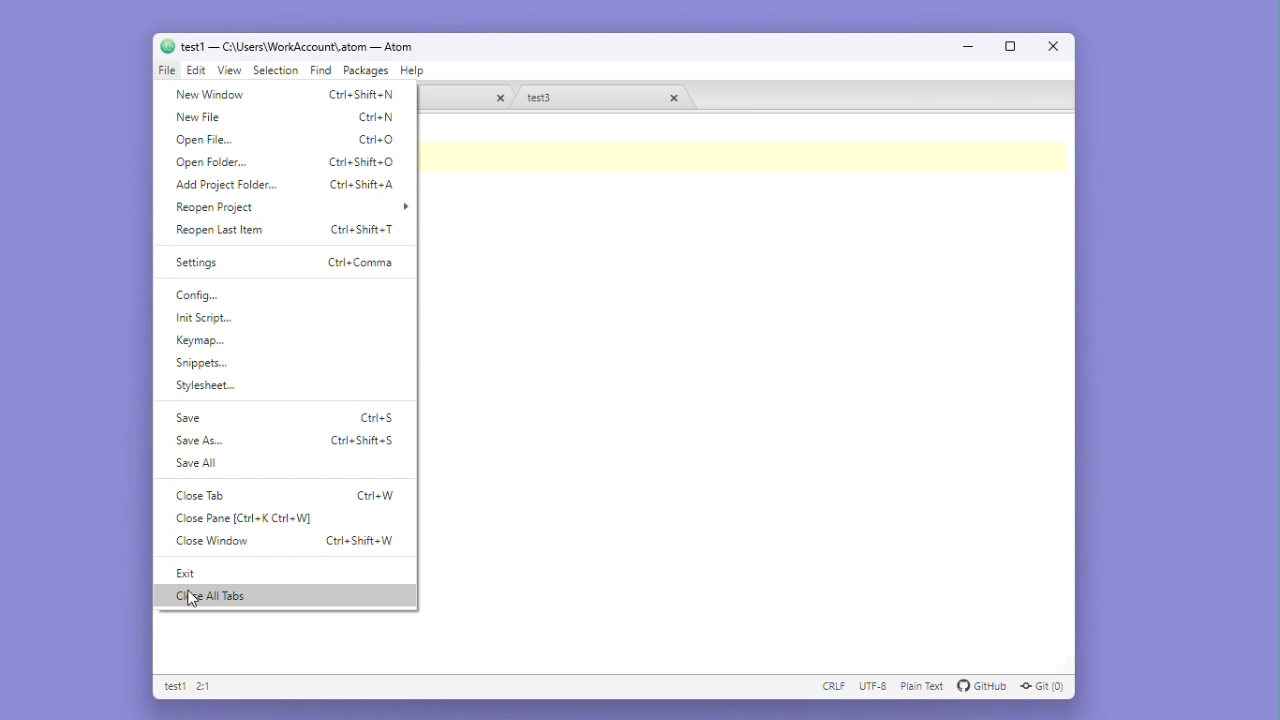 This screenshot has height=720, width=1280. What do you see at coordinates (378, 138) in the screenshot?
I see `ctrl+o` at bounding box center [378, 138].